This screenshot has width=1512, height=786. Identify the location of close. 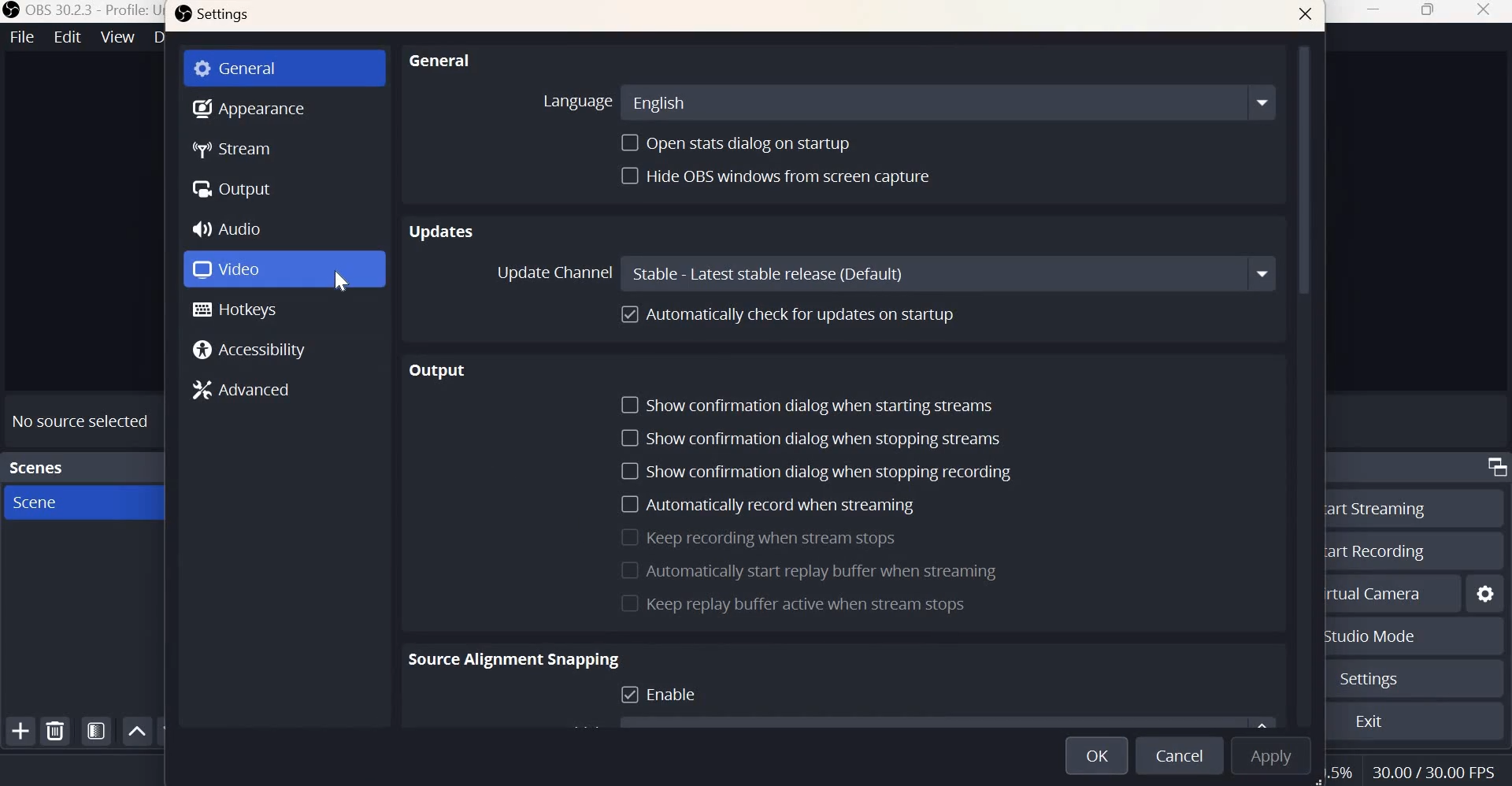
(1306, 17).